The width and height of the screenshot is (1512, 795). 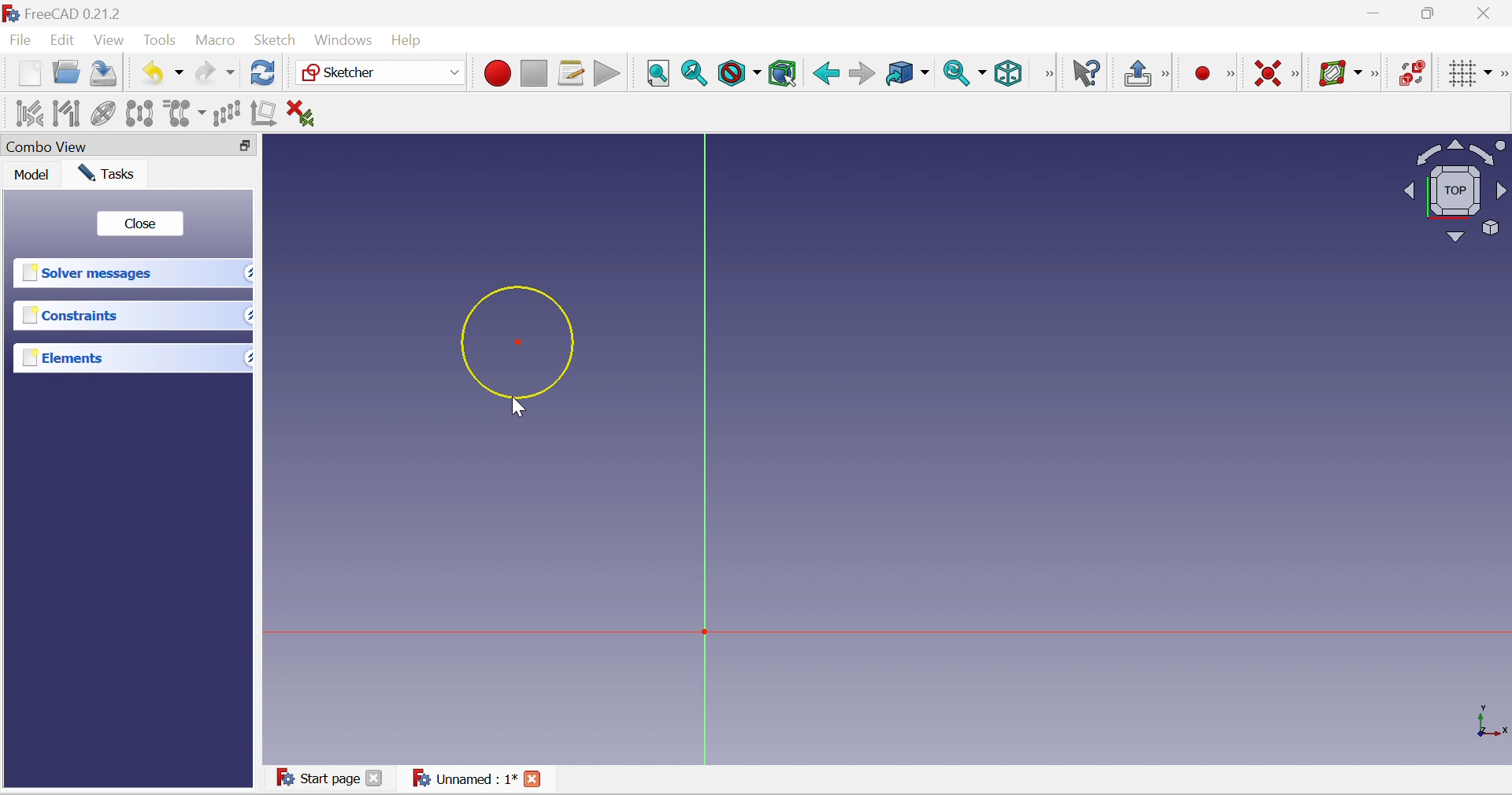 I want to click on Select associated geometry, so click(x=67, y=114).